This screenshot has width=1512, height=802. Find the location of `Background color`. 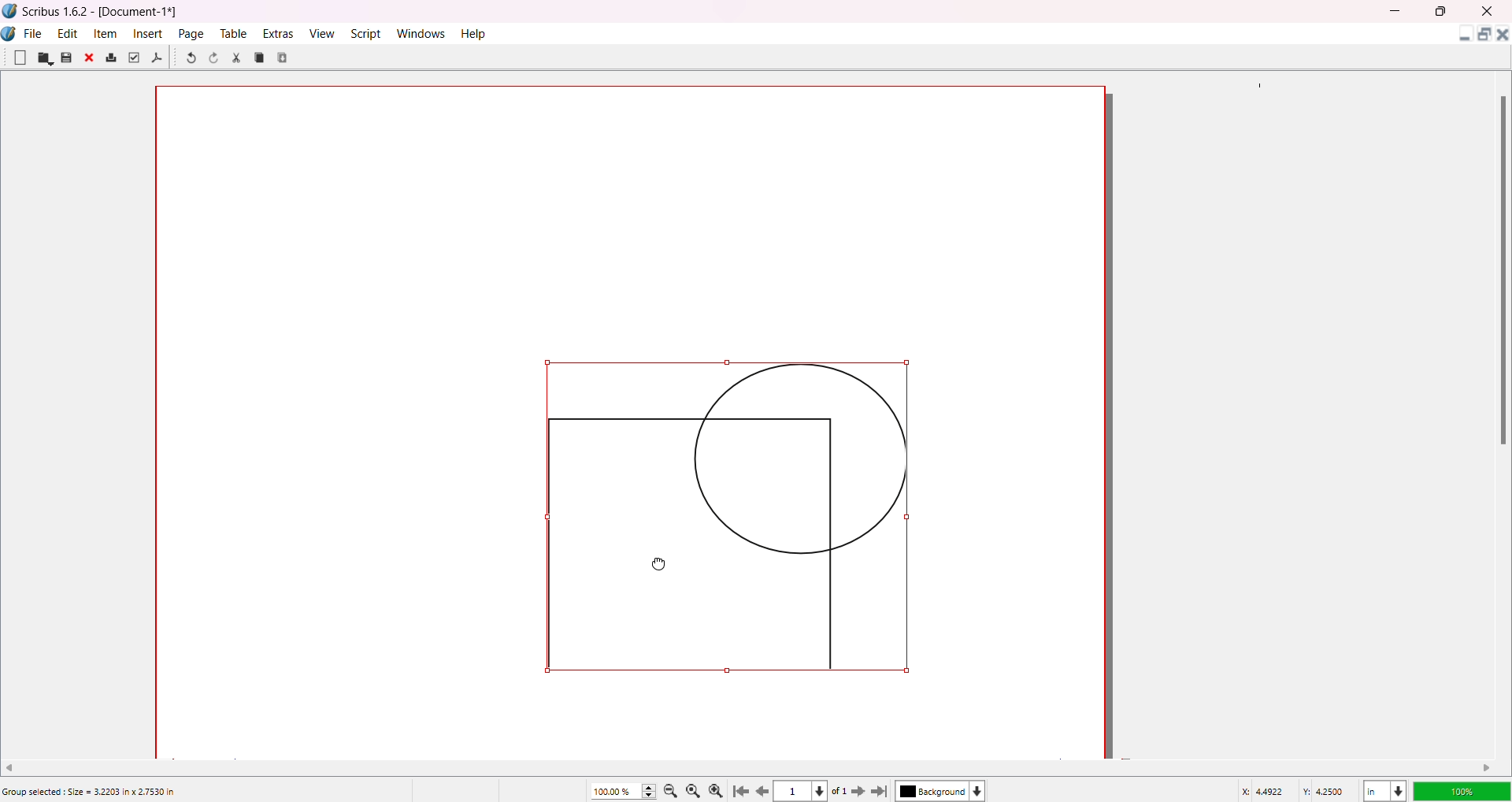

Background color is located at coordinates (944, 791).